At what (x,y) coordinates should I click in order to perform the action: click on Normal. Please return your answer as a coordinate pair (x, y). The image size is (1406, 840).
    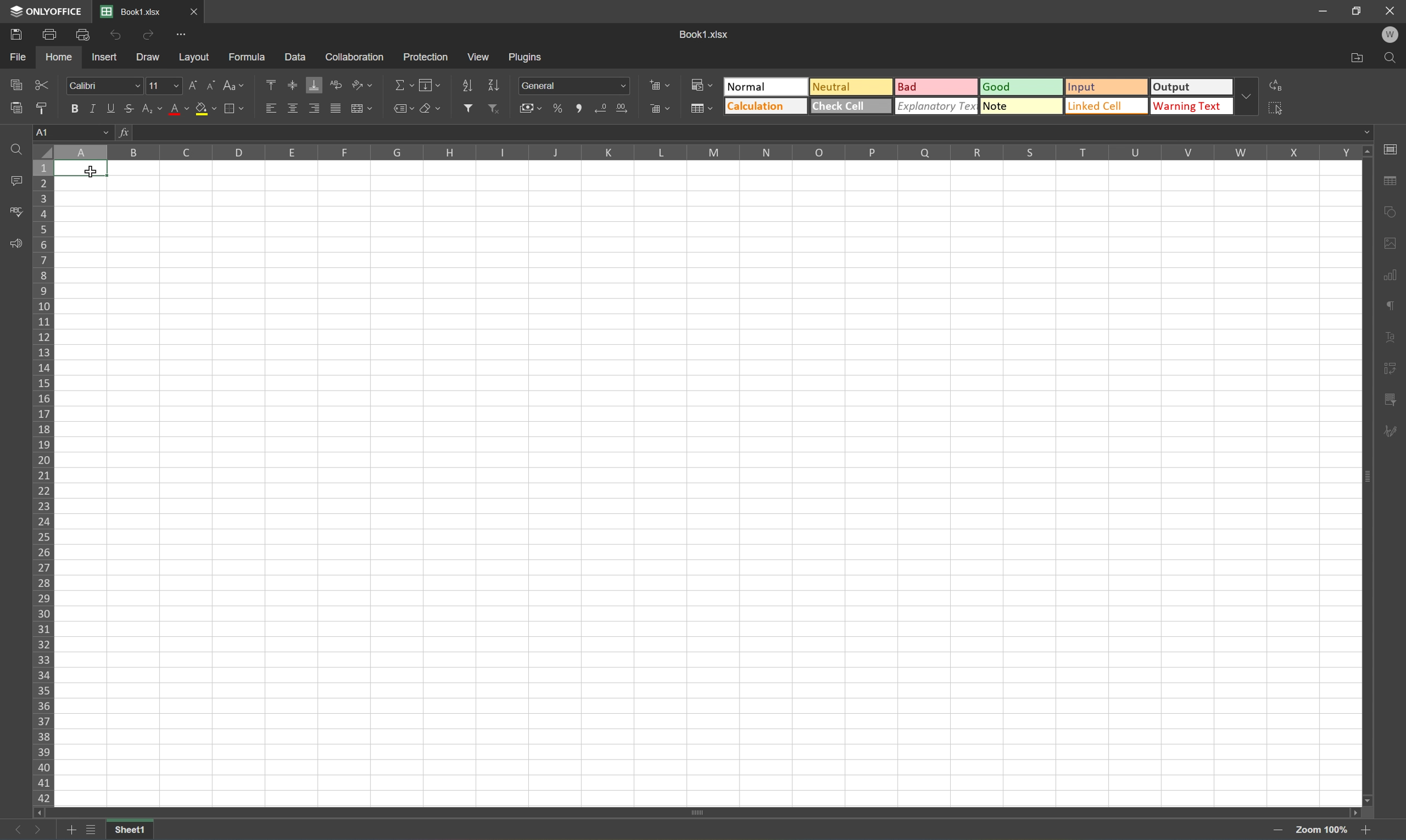
    Looking at the image, I should click on (767, 87).